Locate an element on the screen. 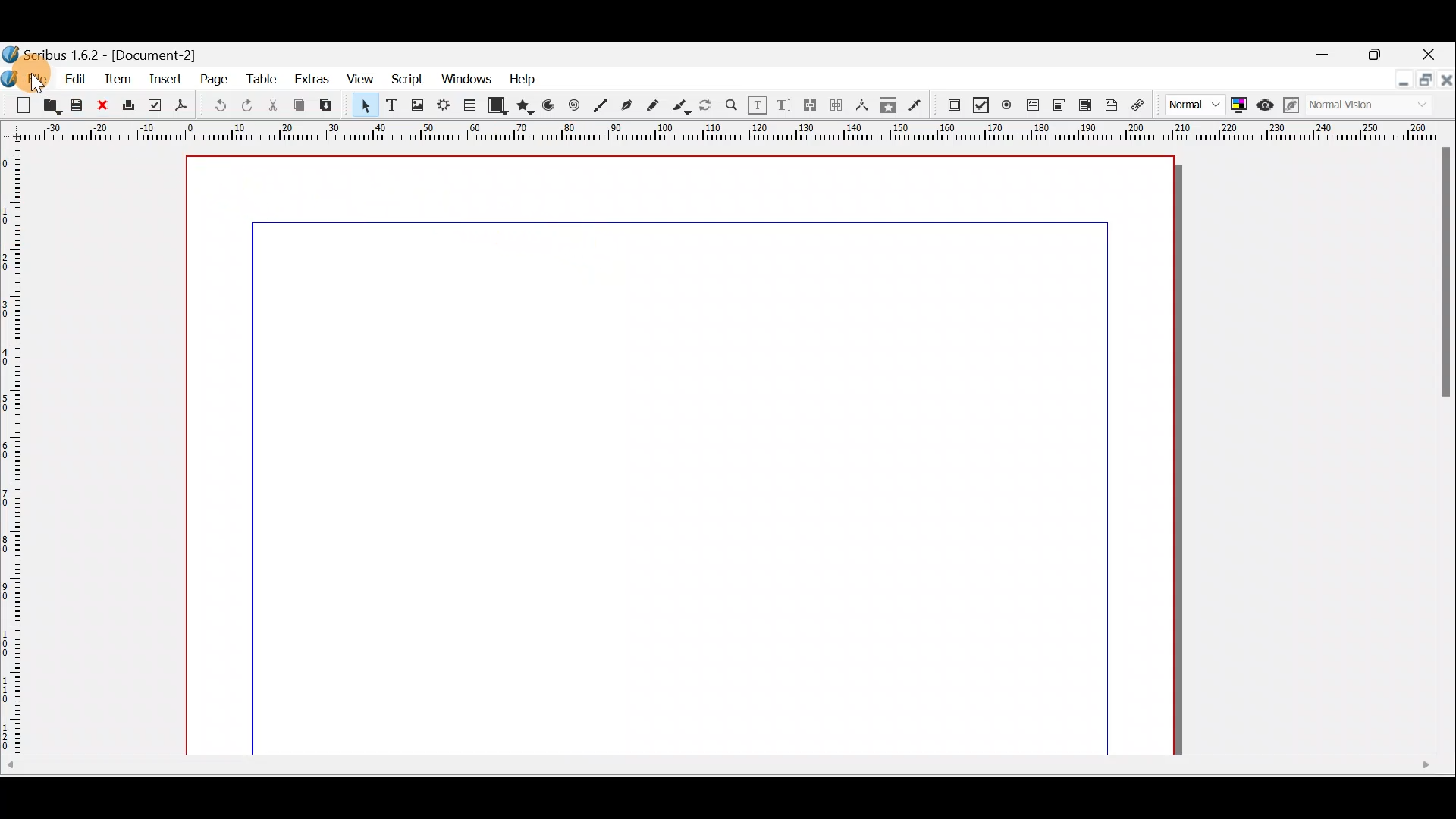 The width and height of the screenshot is (1456, 819). PDF text field is located at coordinates (1034, 107).